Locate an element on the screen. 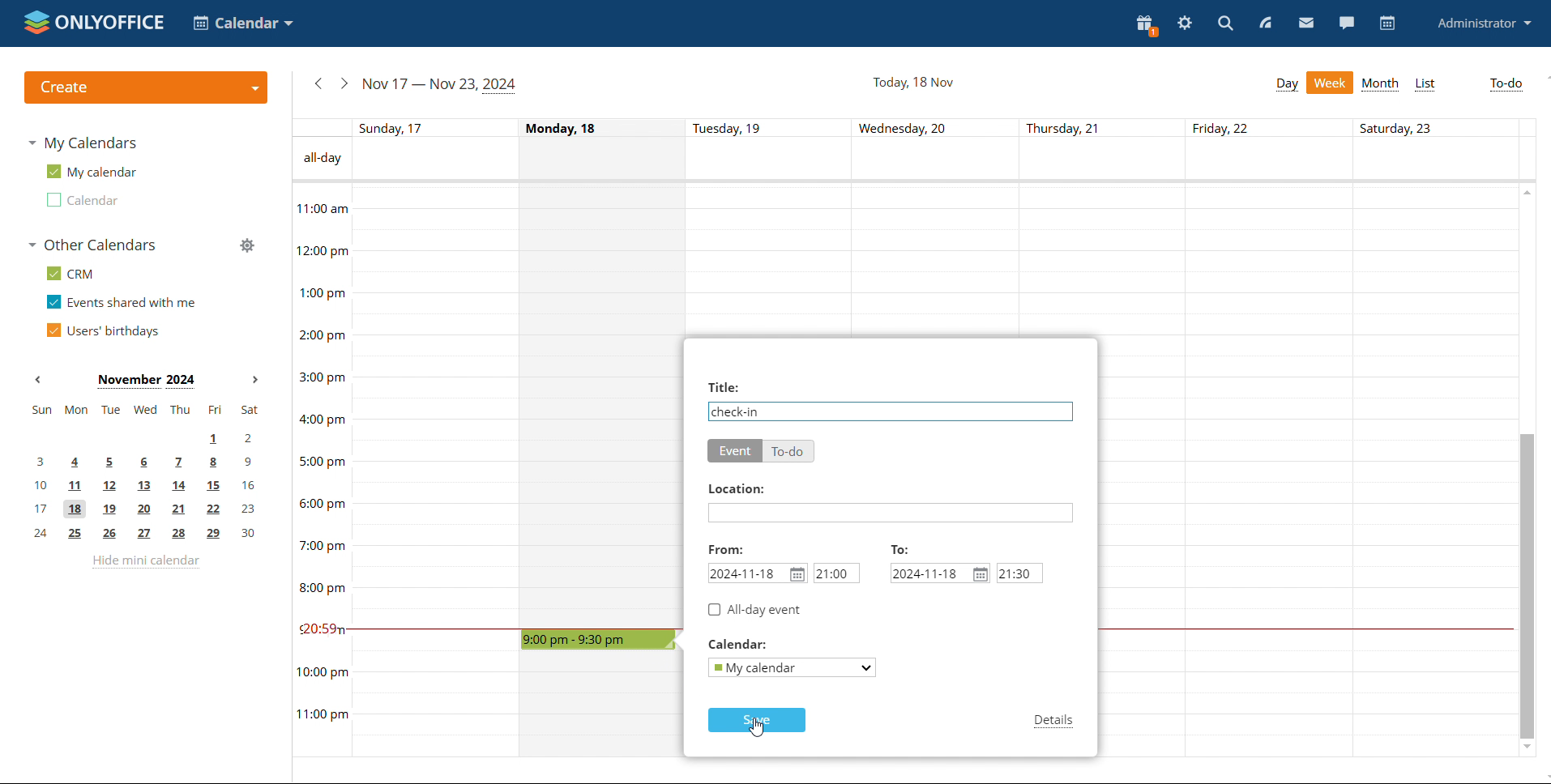  Tuesday is located at coordinates (765, 261).